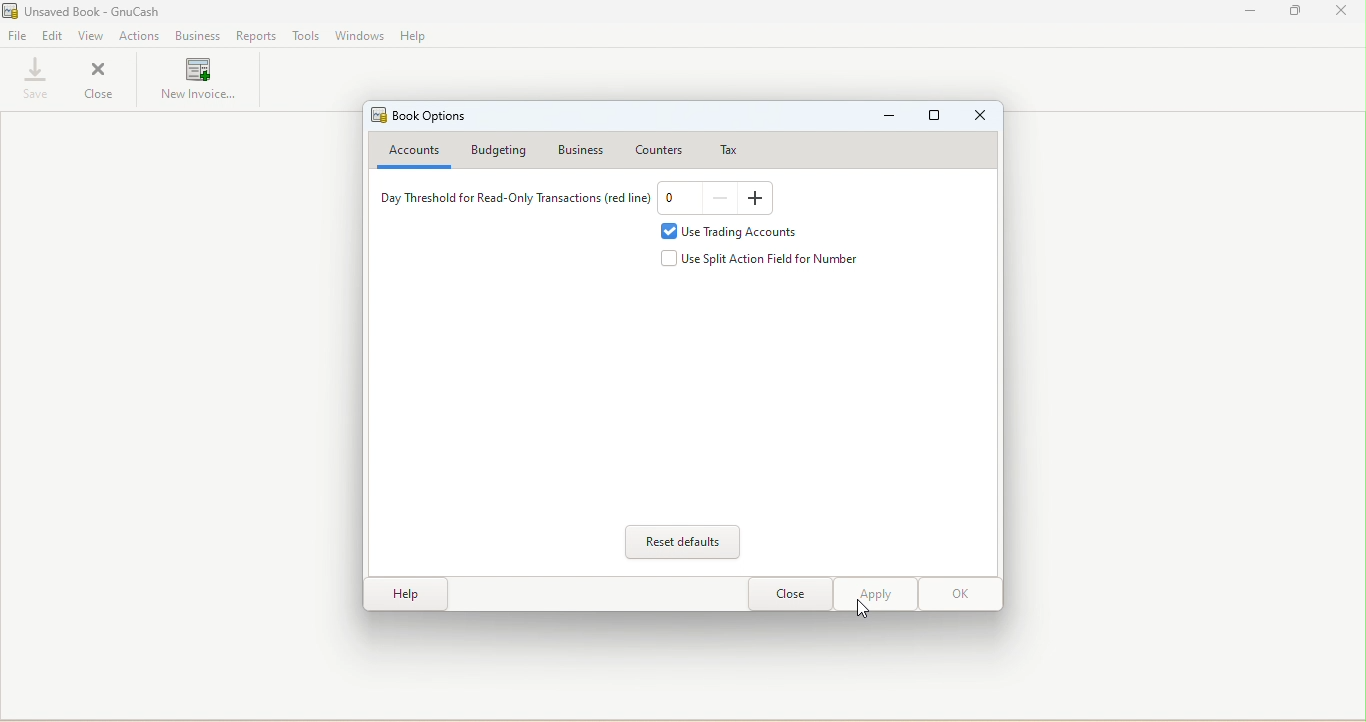  I want to click on Windows, so click(361, 37).